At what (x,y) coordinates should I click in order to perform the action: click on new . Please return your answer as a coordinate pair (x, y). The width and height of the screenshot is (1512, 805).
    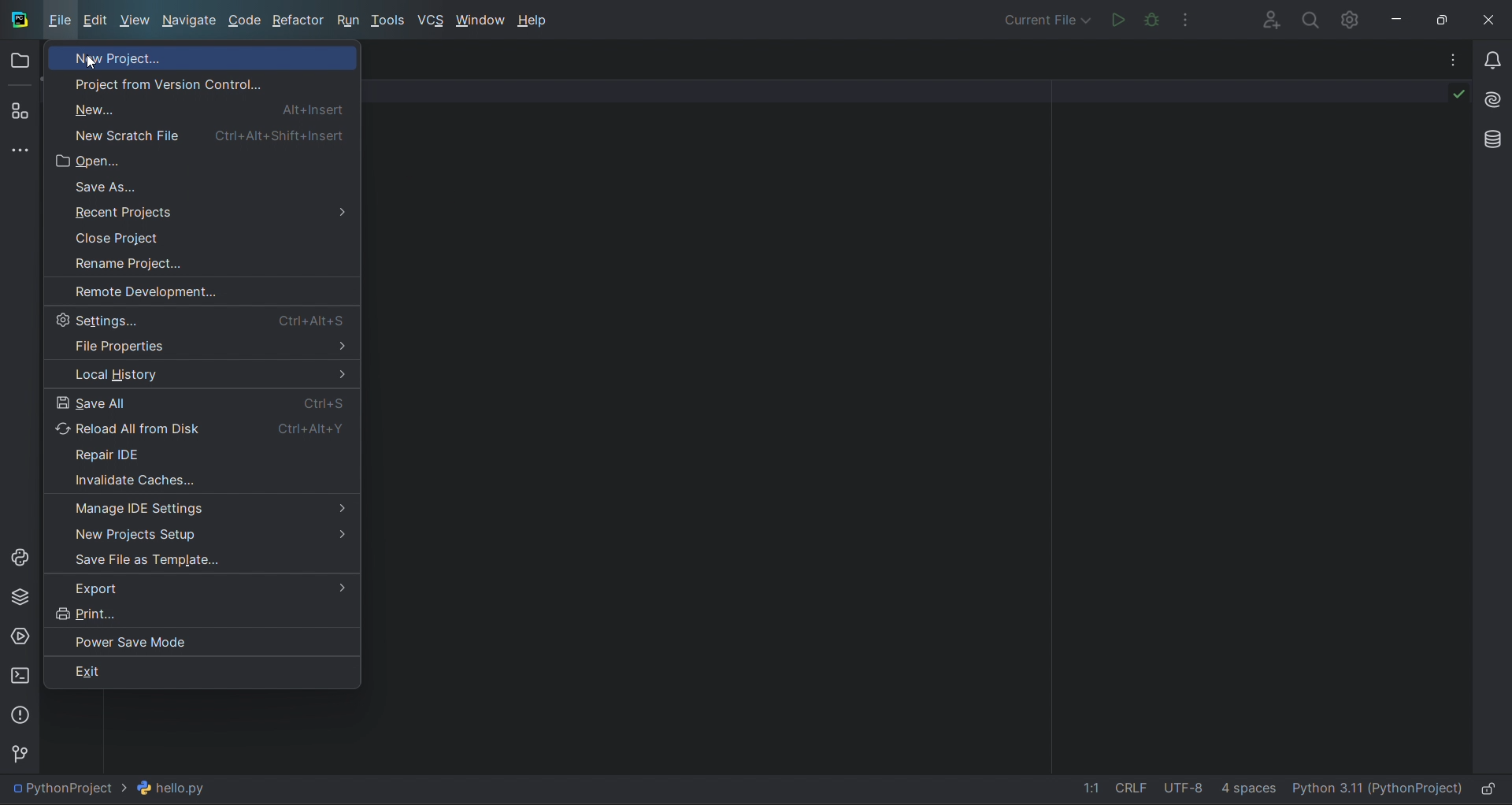
    Looking at the image, I should click on (208, 134).